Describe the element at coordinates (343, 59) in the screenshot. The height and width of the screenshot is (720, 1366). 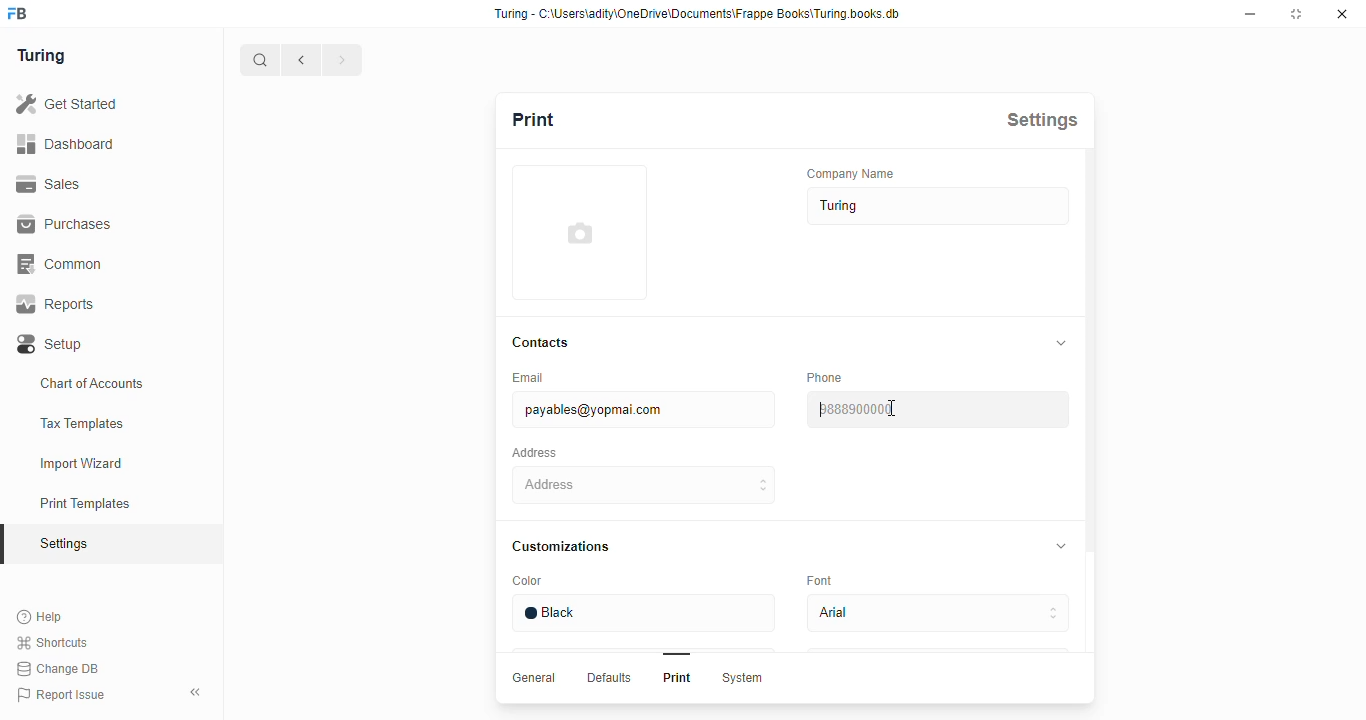
I see `forward` at that location.